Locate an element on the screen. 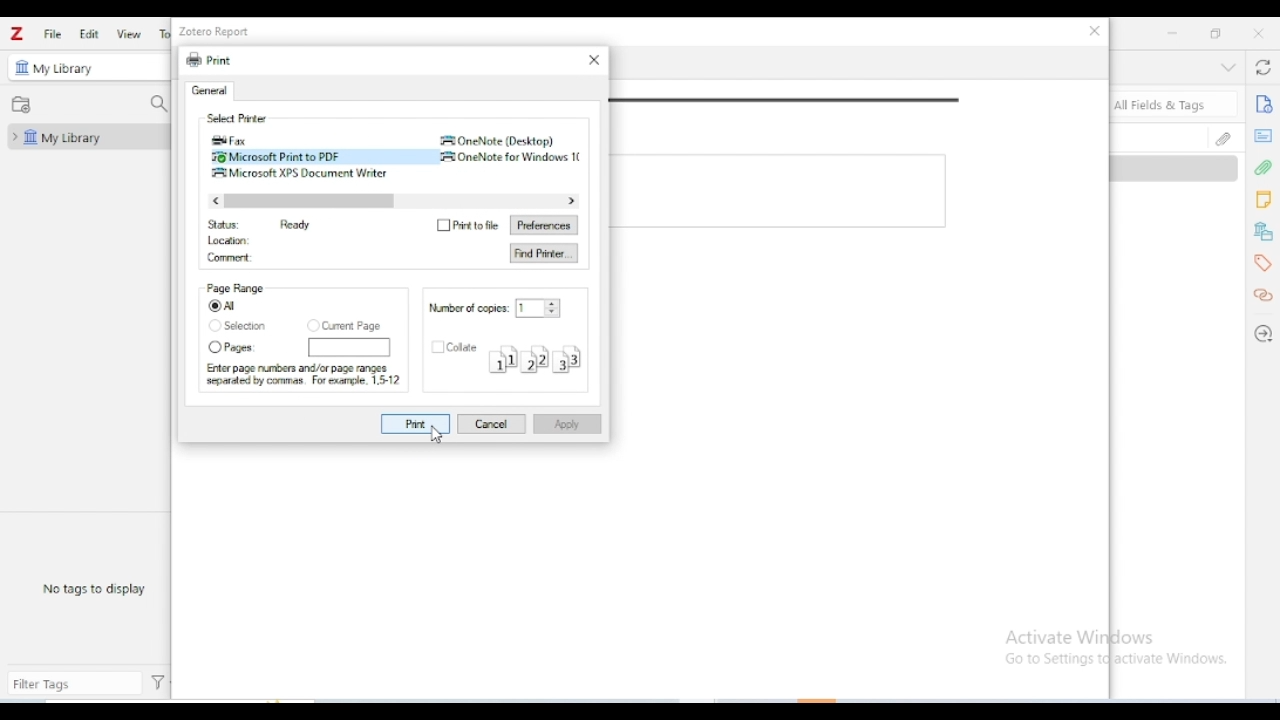  info is located at coordinates (1264, 104).